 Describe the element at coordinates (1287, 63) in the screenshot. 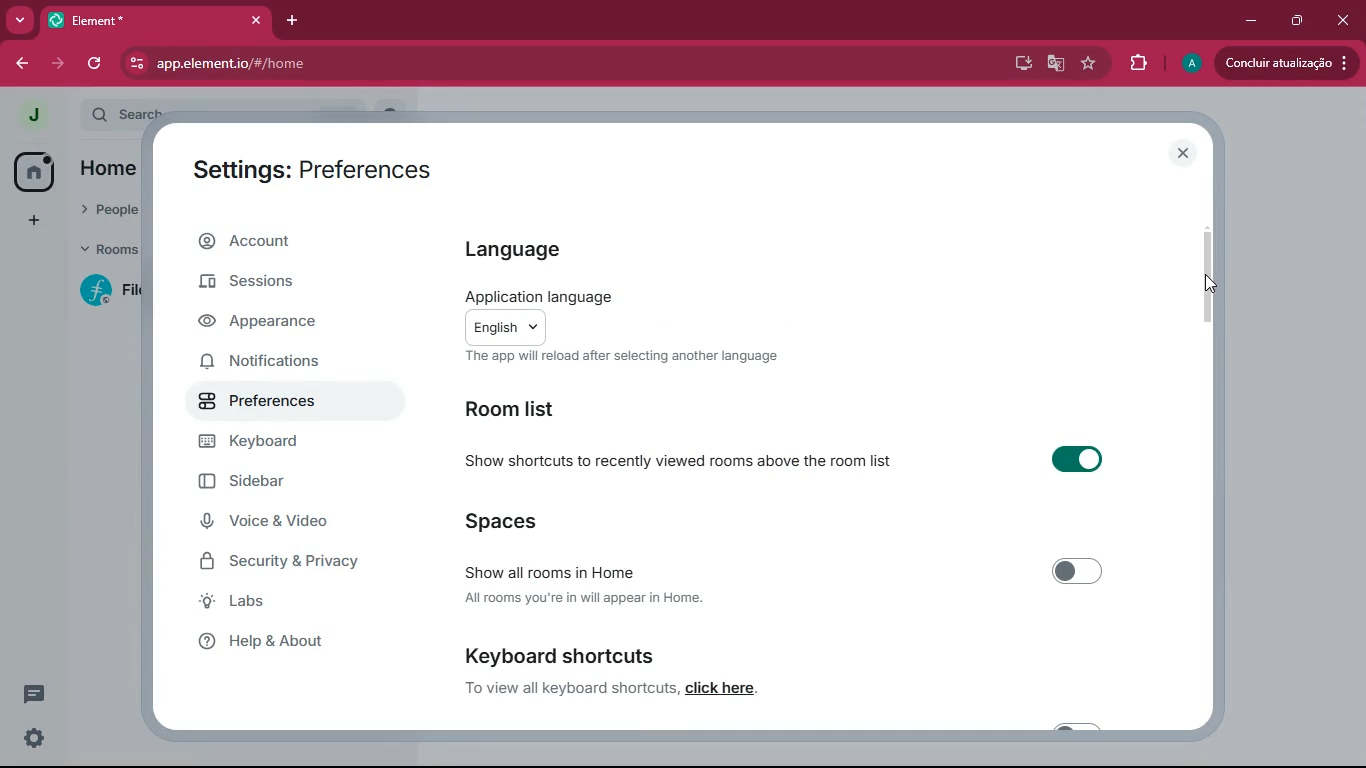

I see `update` at that location.